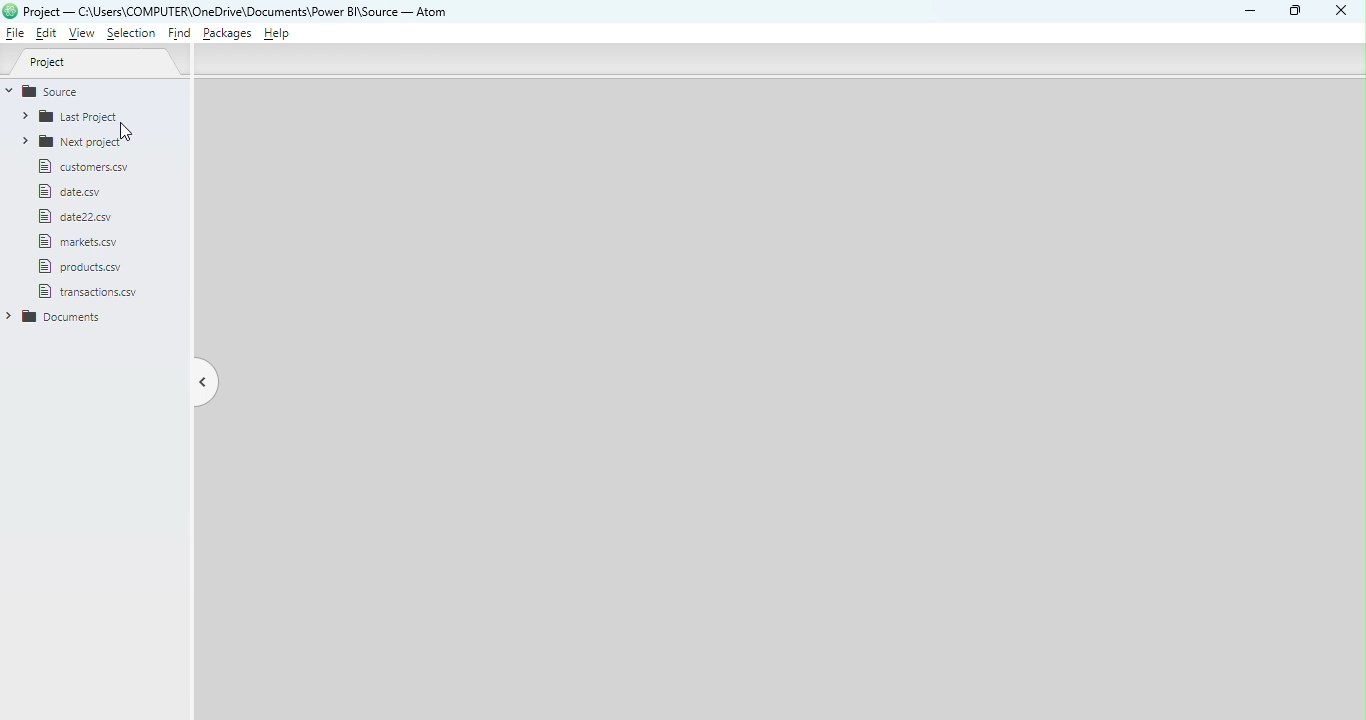 The width and height of the screenshot is (1366, 720). What do you see at coordinates (91, 168) in the screenshot?
I see `File` at bounding box center [91, 168].